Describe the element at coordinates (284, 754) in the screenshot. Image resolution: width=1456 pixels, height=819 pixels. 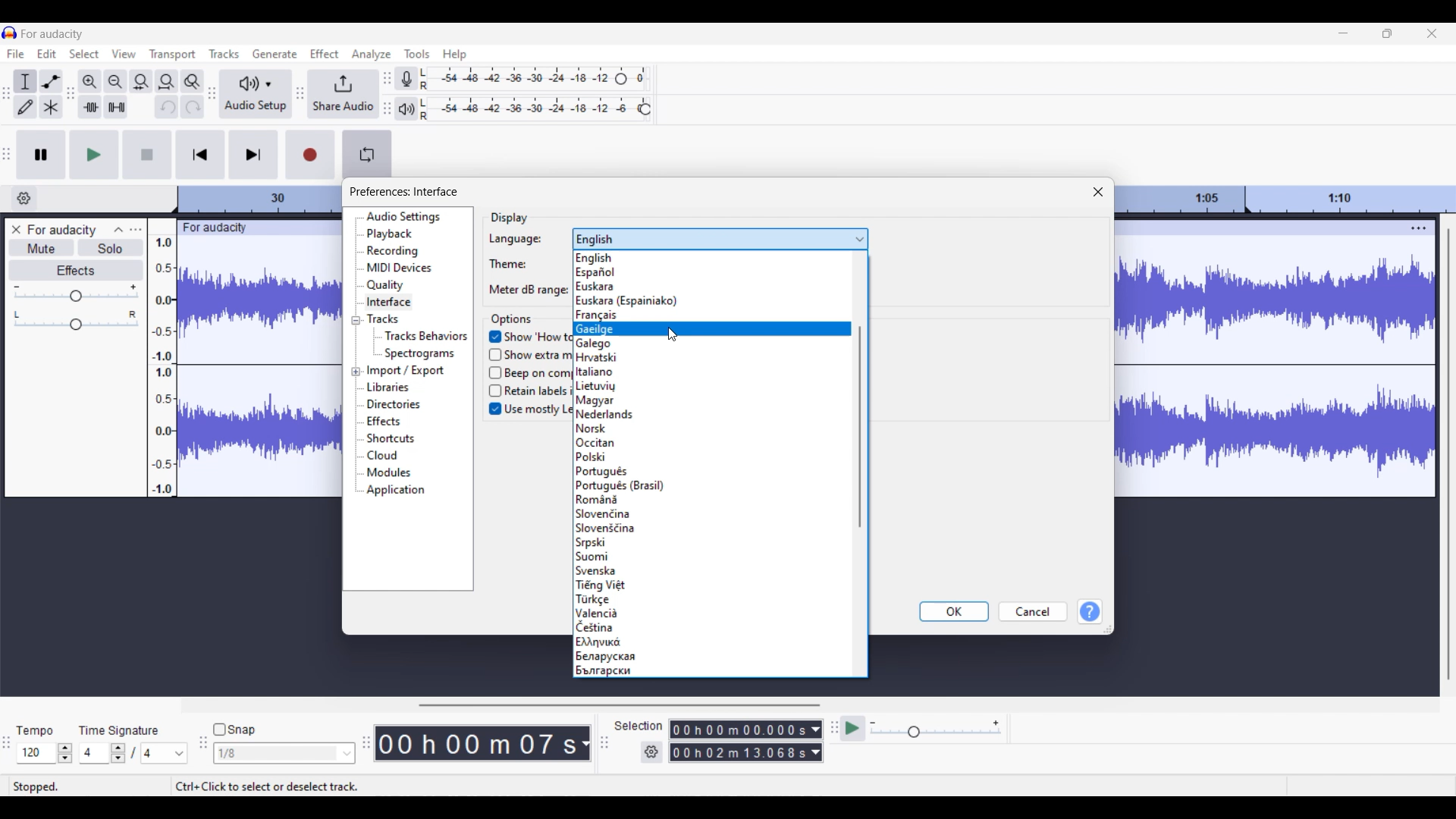
I see `1/8` at that location.